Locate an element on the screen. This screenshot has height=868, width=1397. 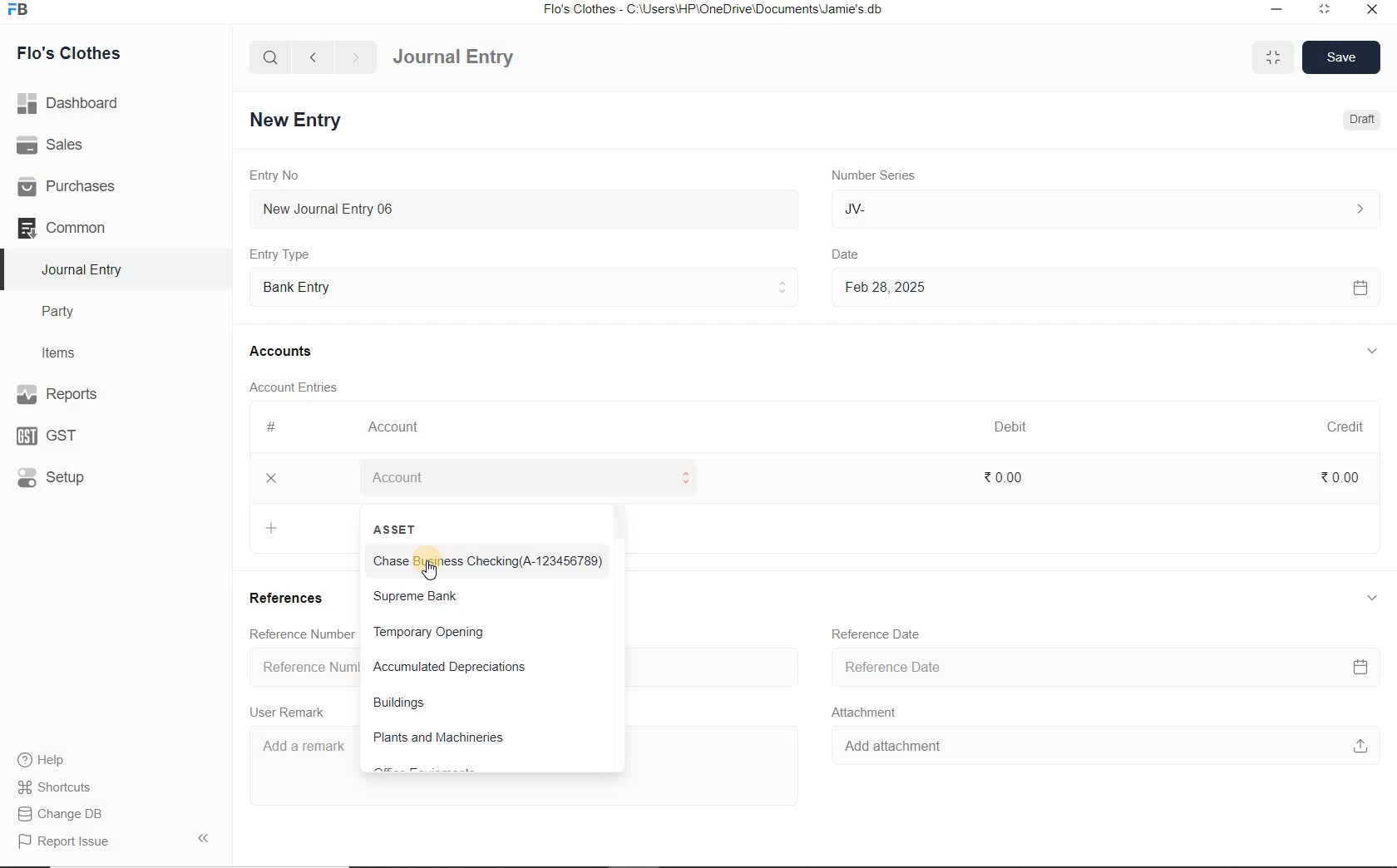
Collpase is located at coordinates (203, 837).